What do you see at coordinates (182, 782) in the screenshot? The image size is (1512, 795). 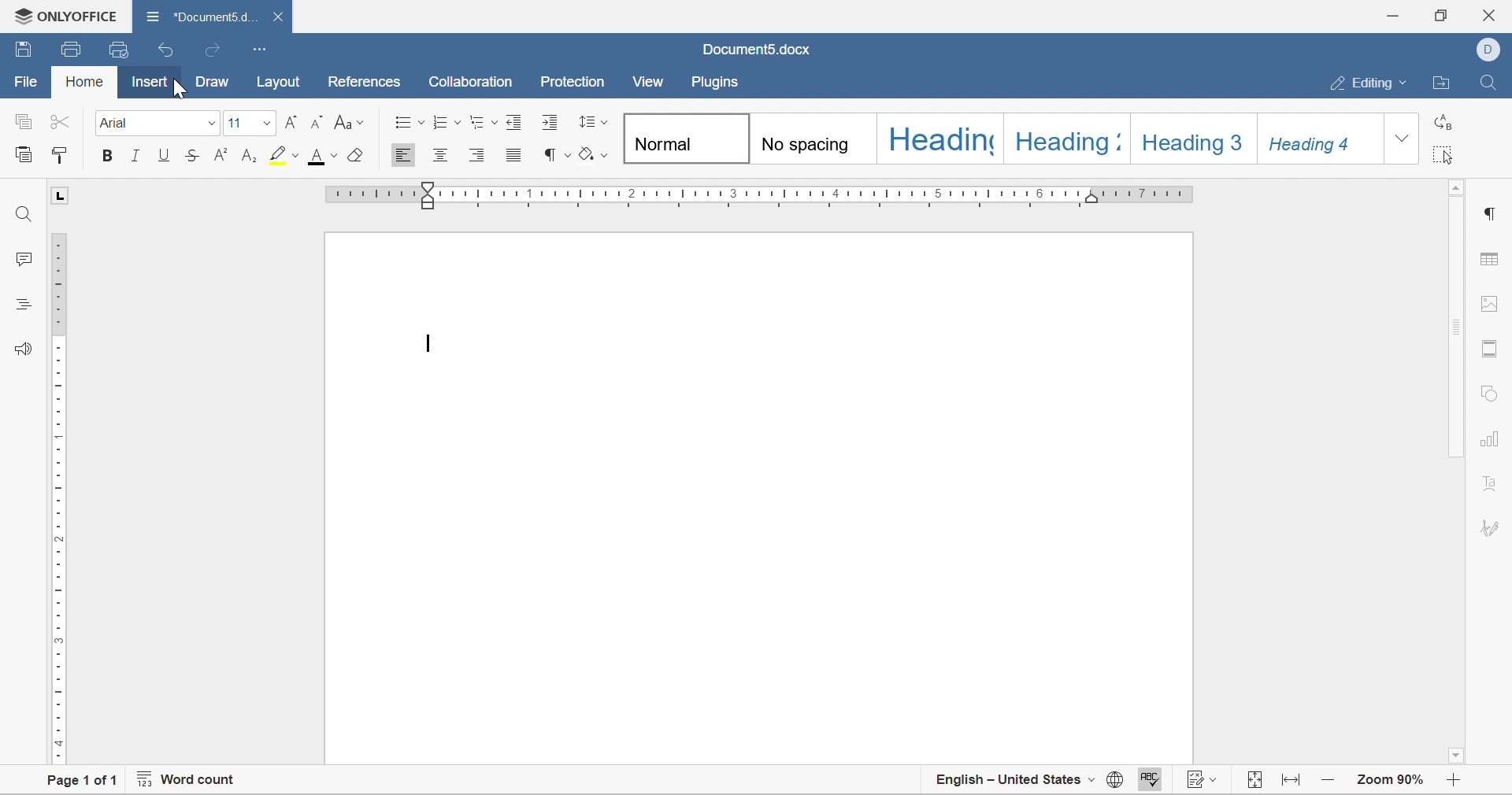 I see `word count` at bounding box center [182, 782].